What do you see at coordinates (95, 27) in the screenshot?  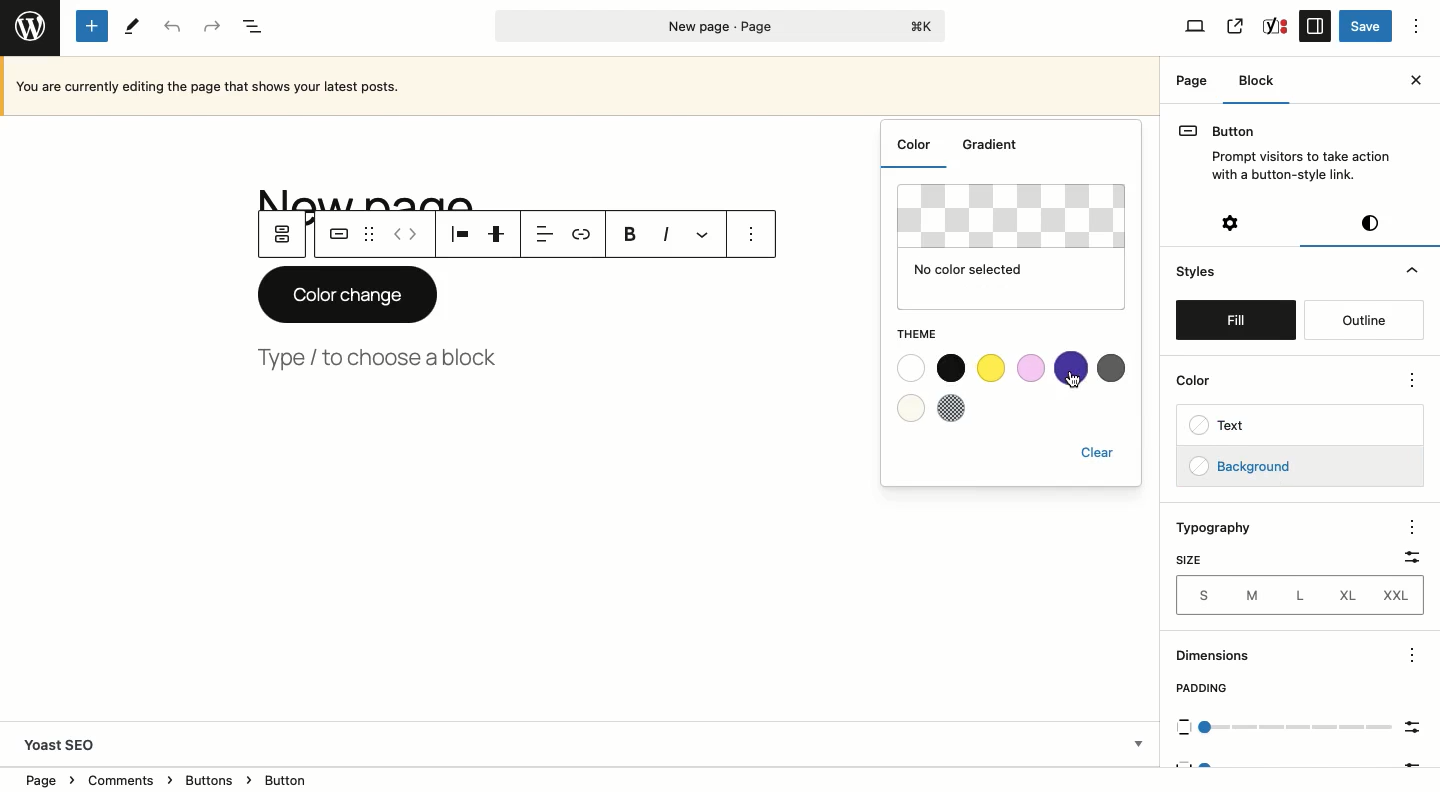 I see `Add new block` at bounding box center [95, 27].